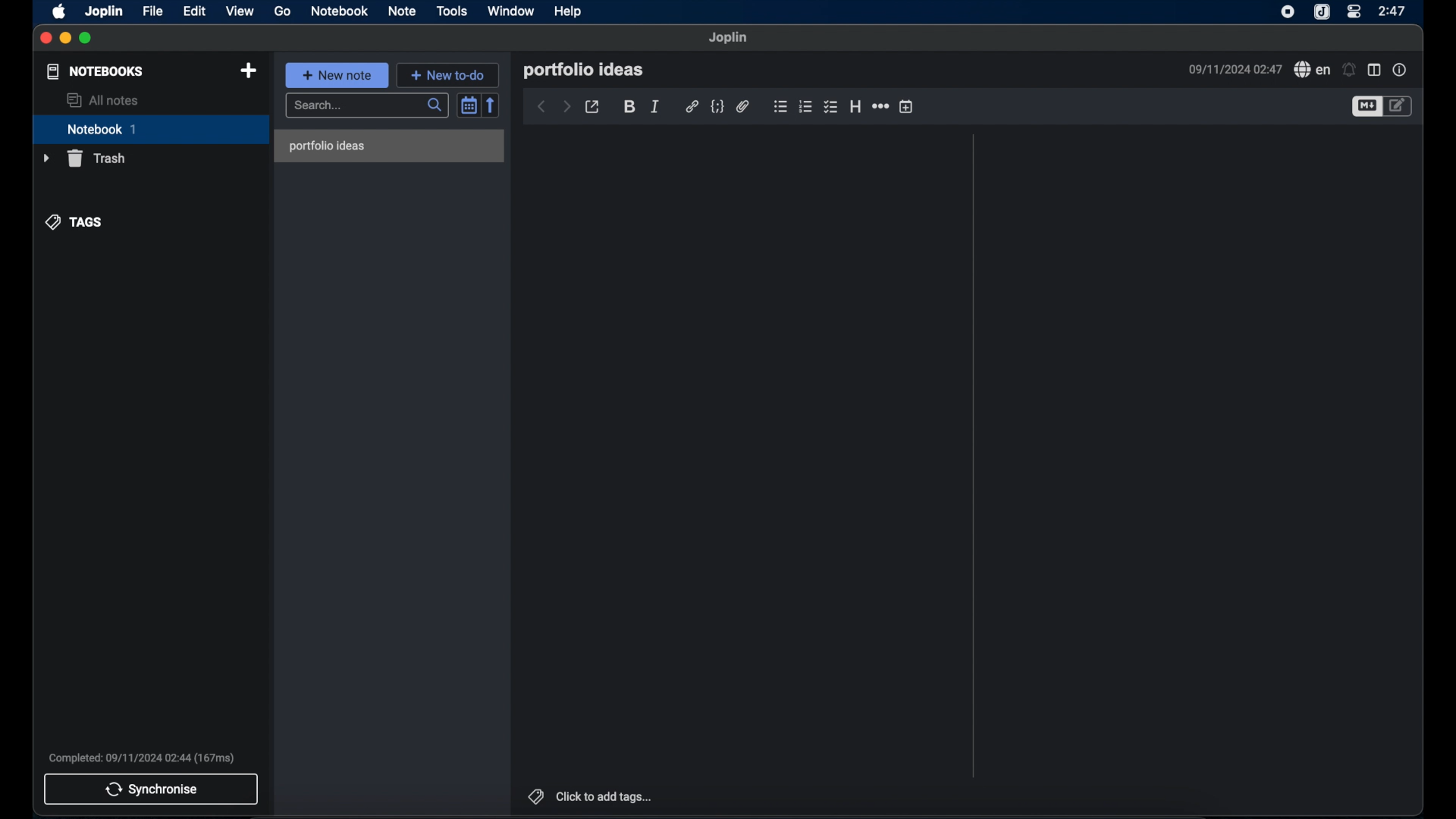 This screenshot has width=1456, height=819. Describe the element at coordinates (142, 759) in the screenshot. I see `Completed: 09/11/2024 02:44 (167ms)` at that location.